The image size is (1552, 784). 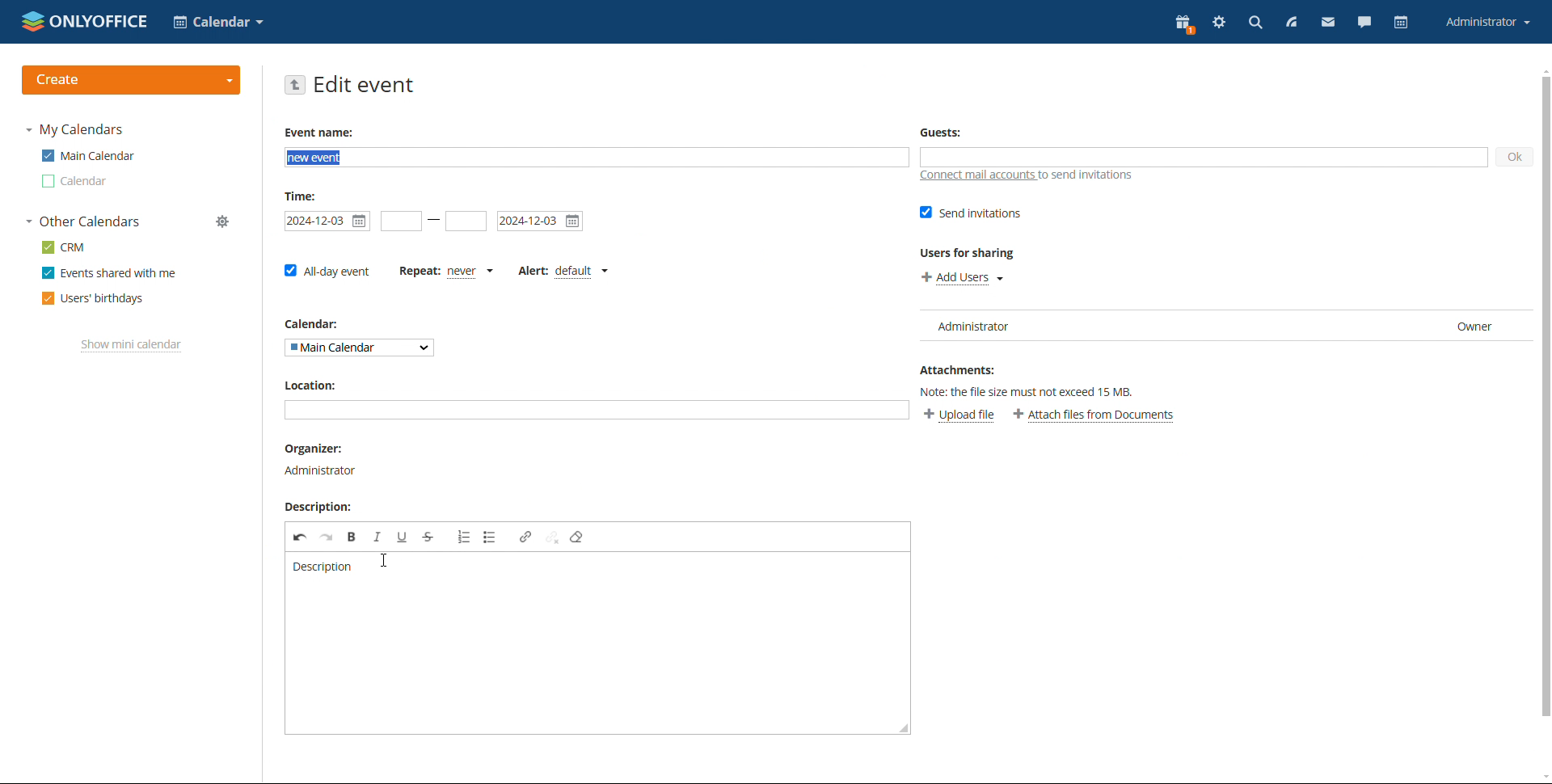 What do you see at coordinates (94, 298) in the screenshot?
I see `users' birthdays` at bounding box center [94, 298].